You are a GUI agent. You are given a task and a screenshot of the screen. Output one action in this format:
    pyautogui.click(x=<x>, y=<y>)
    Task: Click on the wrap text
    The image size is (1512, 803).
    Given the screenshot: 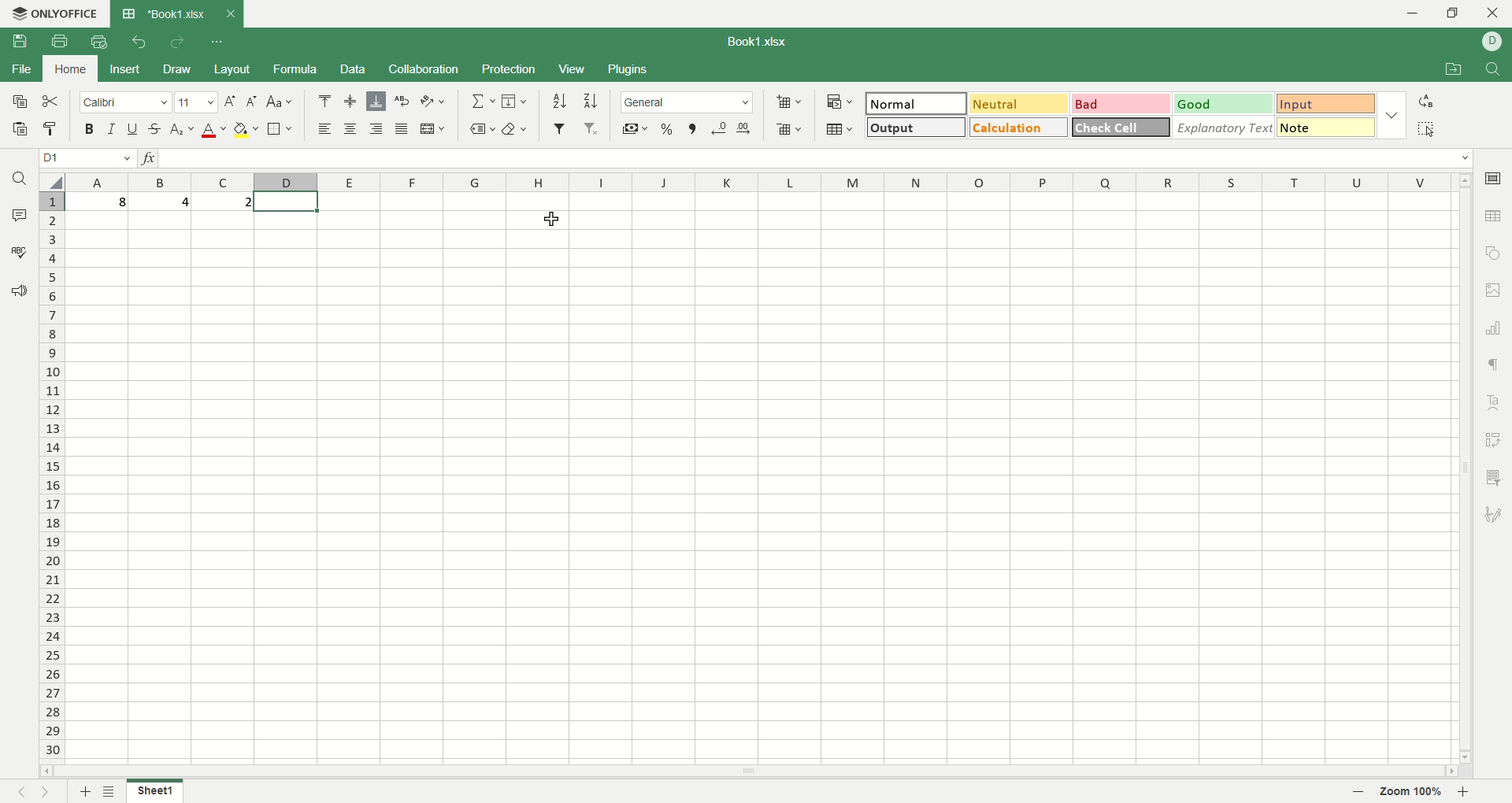 What is the action you would take?
    pyautogui.click(x=403, y=98)
    